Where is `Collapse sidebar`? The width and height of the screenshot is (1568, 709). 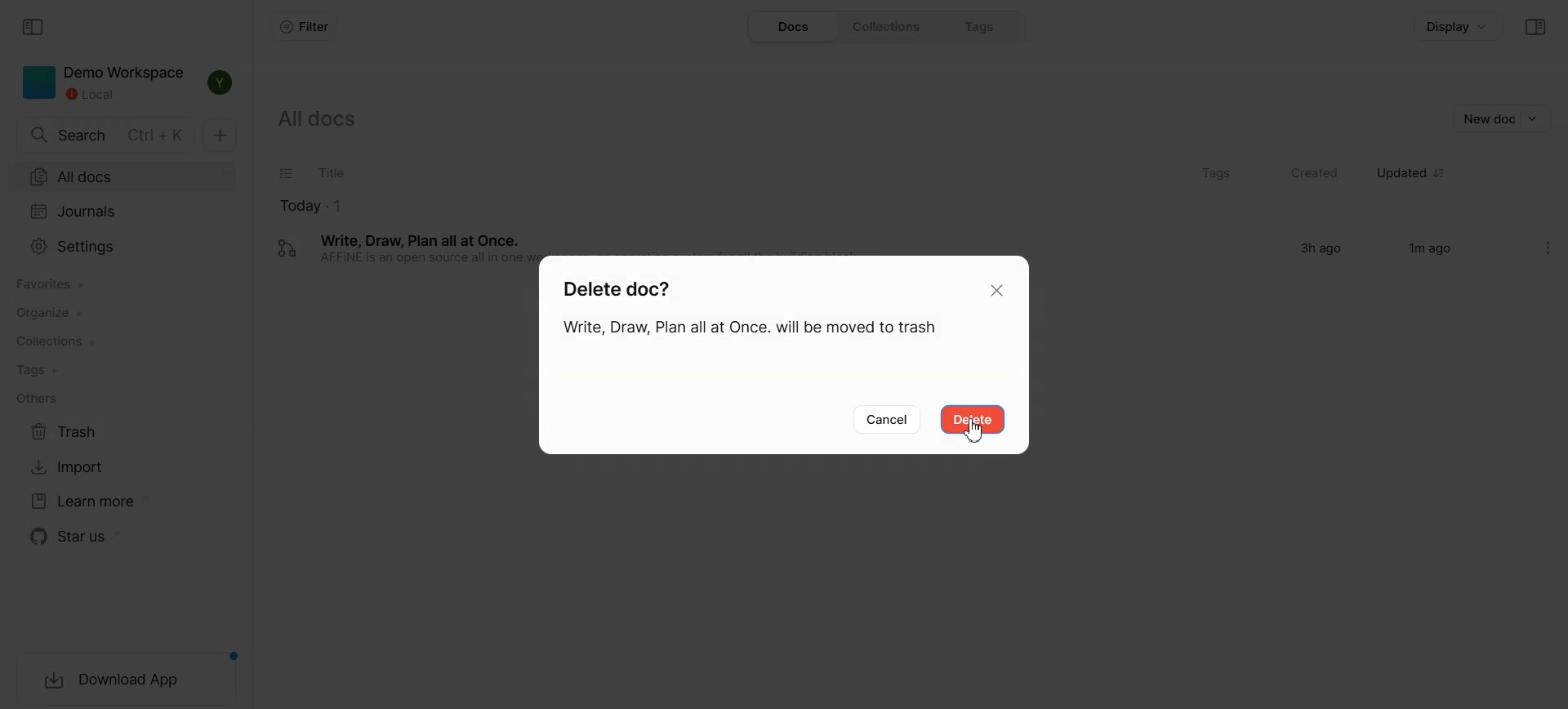
Collapse sidebar is located at coordinates (31, 27).